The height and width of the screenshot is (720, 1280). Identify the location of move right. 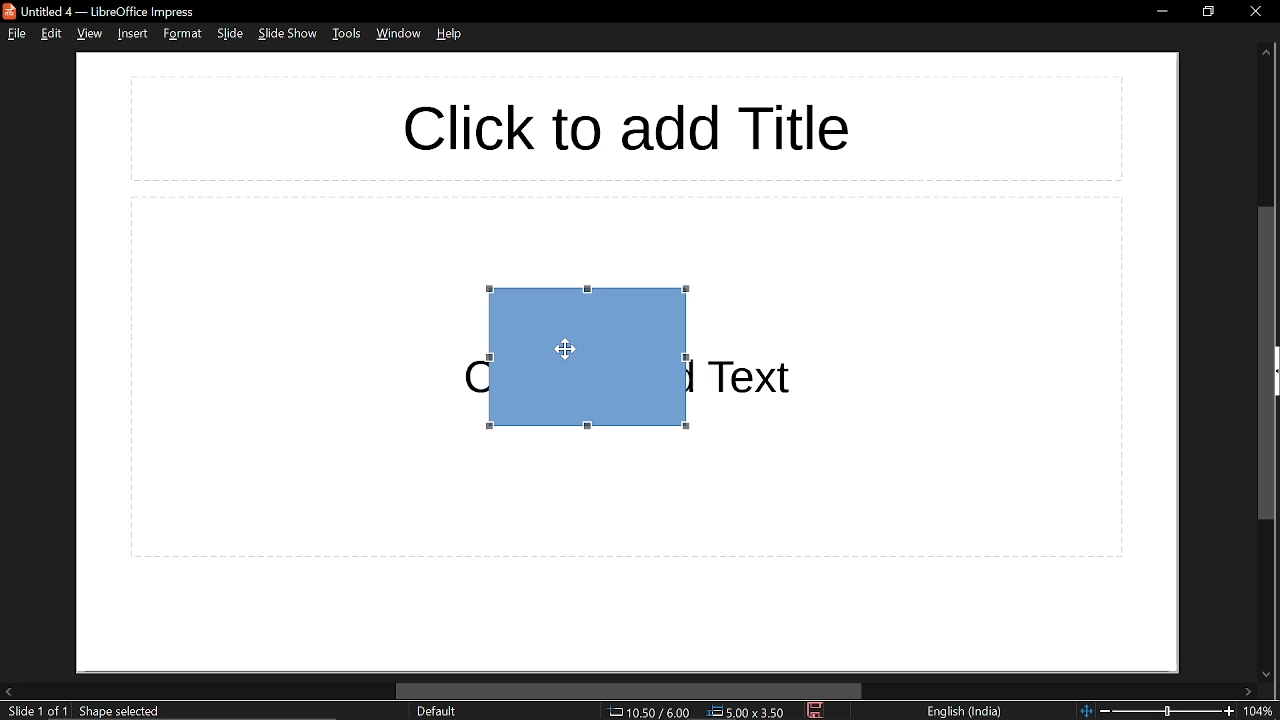
(1253, 690).